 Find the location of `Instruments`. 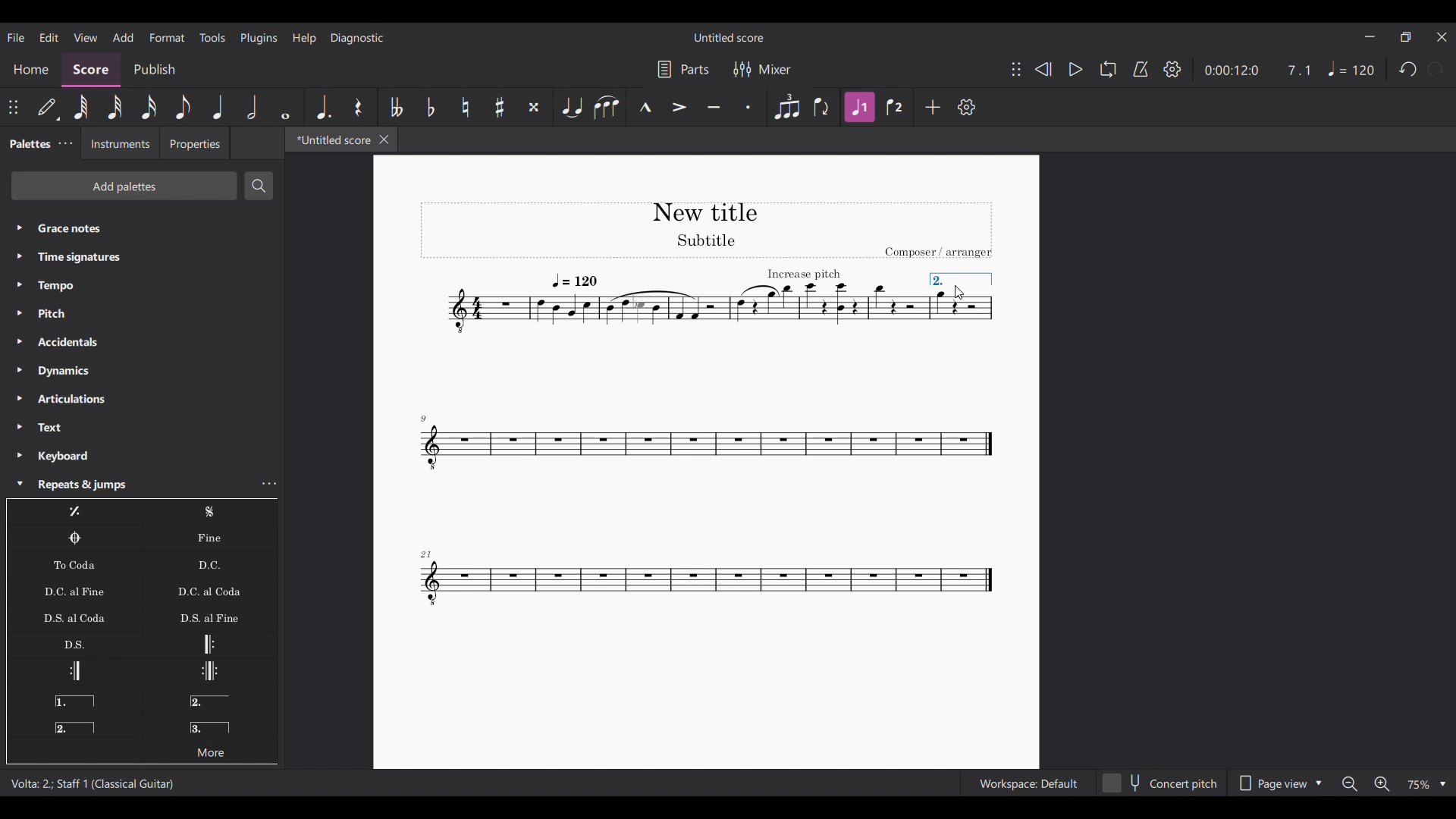

Instruments is located at coordinates (120, 143).